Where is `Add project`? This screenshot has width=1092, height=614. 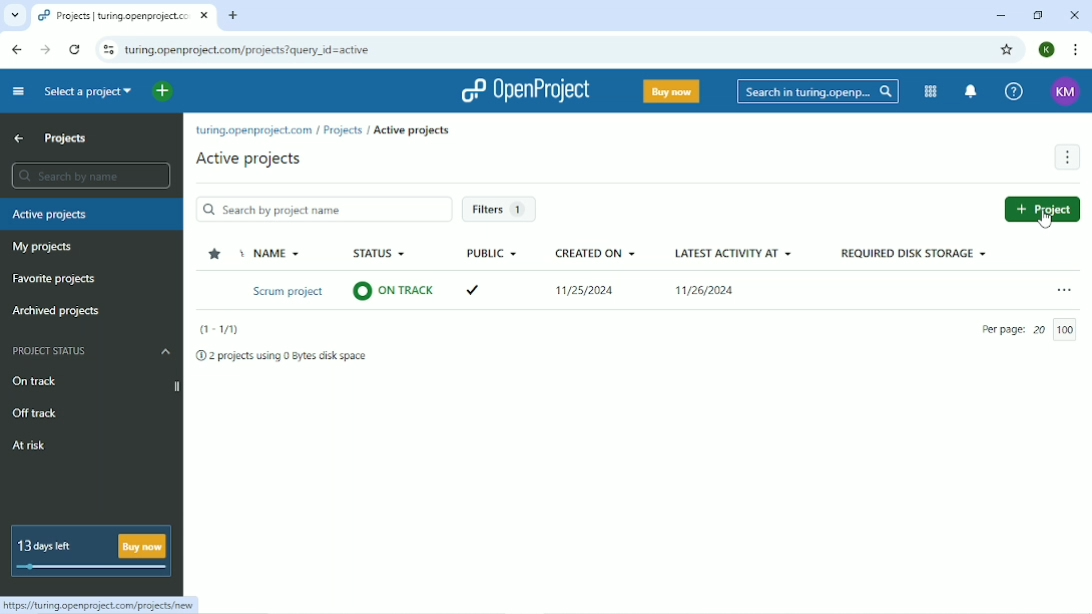
Add project is located at coordinates (1044, 209).